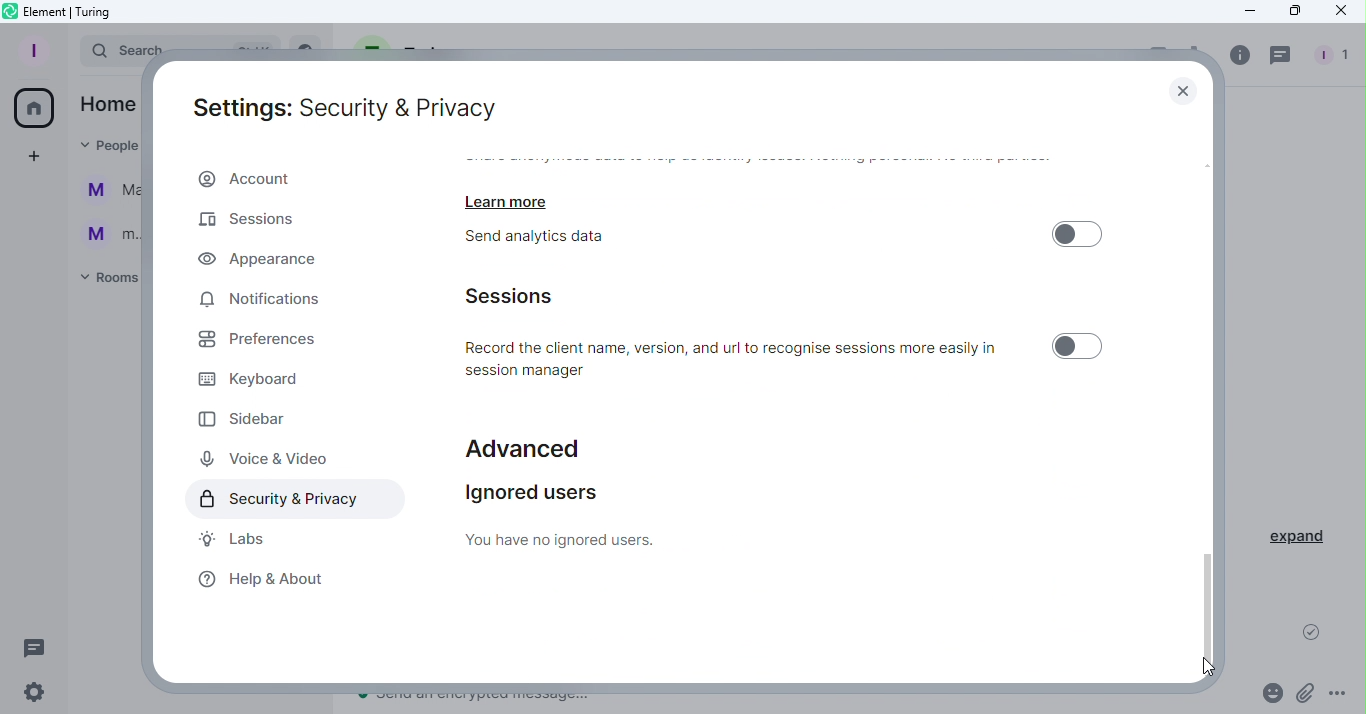 The height and width of the screenshot is (714, 1366). I want to click on Close, so click(1184, 85).